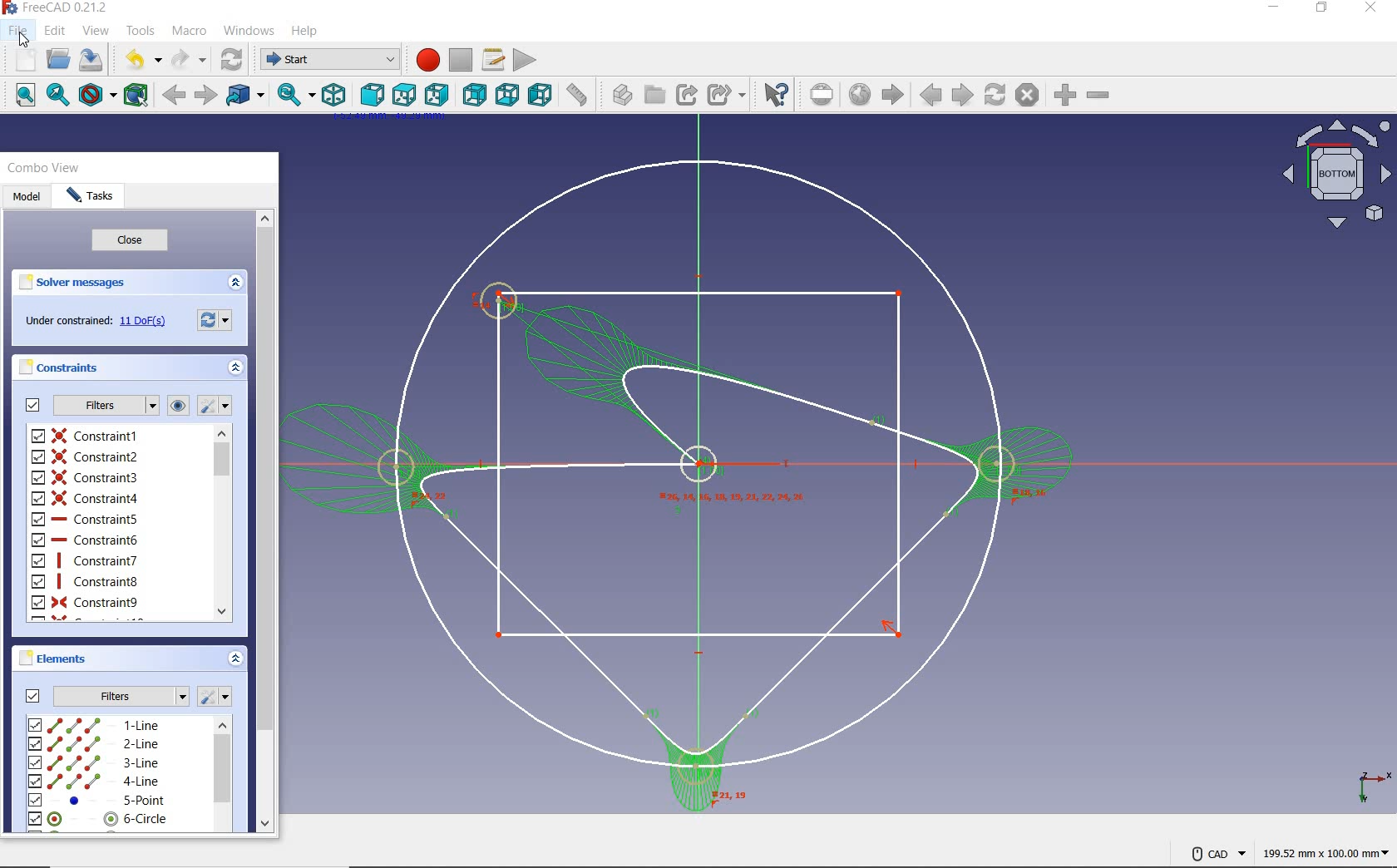 The image size is (1397, 868). I want to click on expand, so click(234, 366).